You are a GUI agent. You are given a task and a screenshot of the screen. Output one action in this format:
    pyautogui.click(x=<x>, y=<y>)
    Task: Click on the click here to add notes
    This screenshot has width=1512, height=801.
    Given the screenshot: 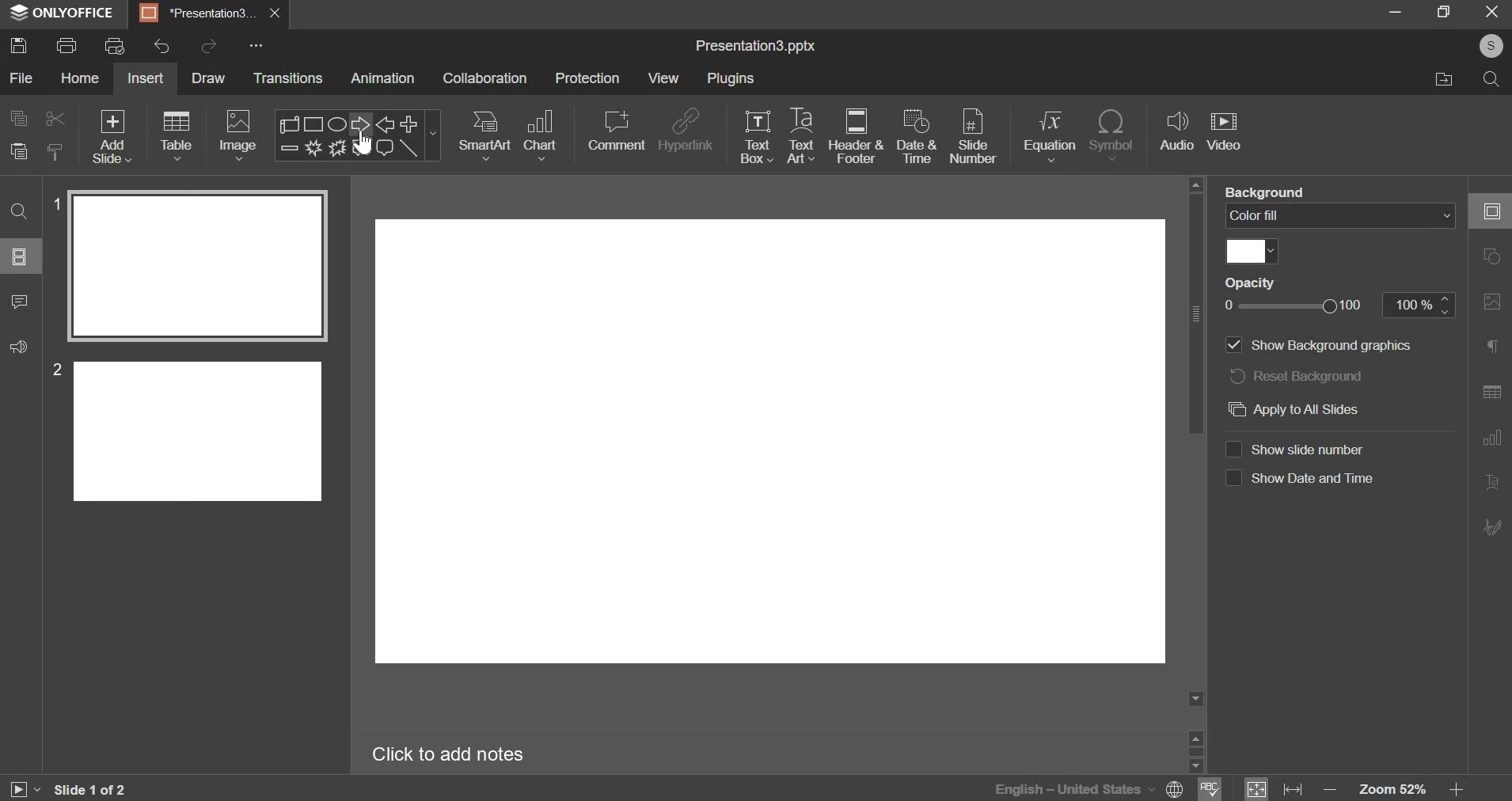 What is the action you would take?
    pyautogui.click(x=448, y=755)
    